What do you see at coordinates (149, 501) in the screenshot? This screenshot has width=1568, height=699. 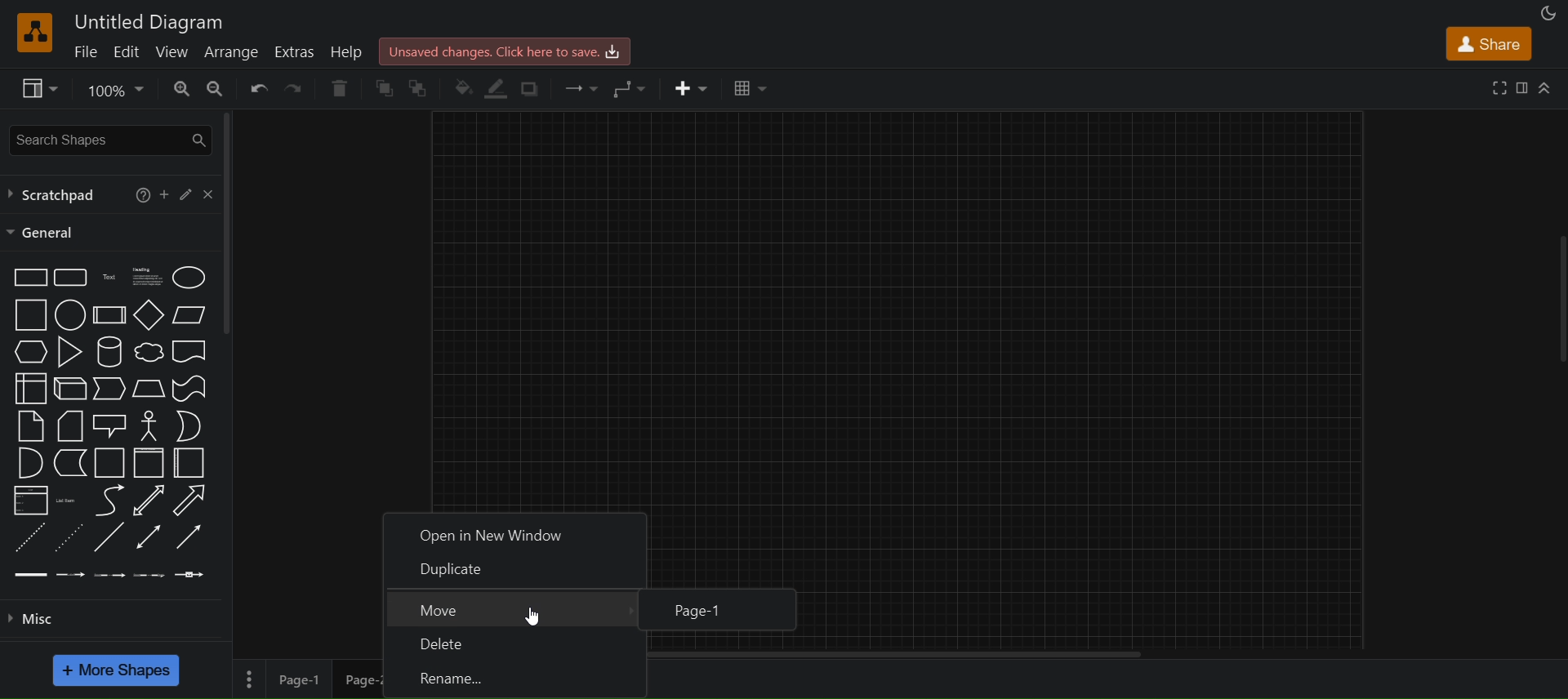 I see `bidirectional arrow` at bounding box center [149, 501].